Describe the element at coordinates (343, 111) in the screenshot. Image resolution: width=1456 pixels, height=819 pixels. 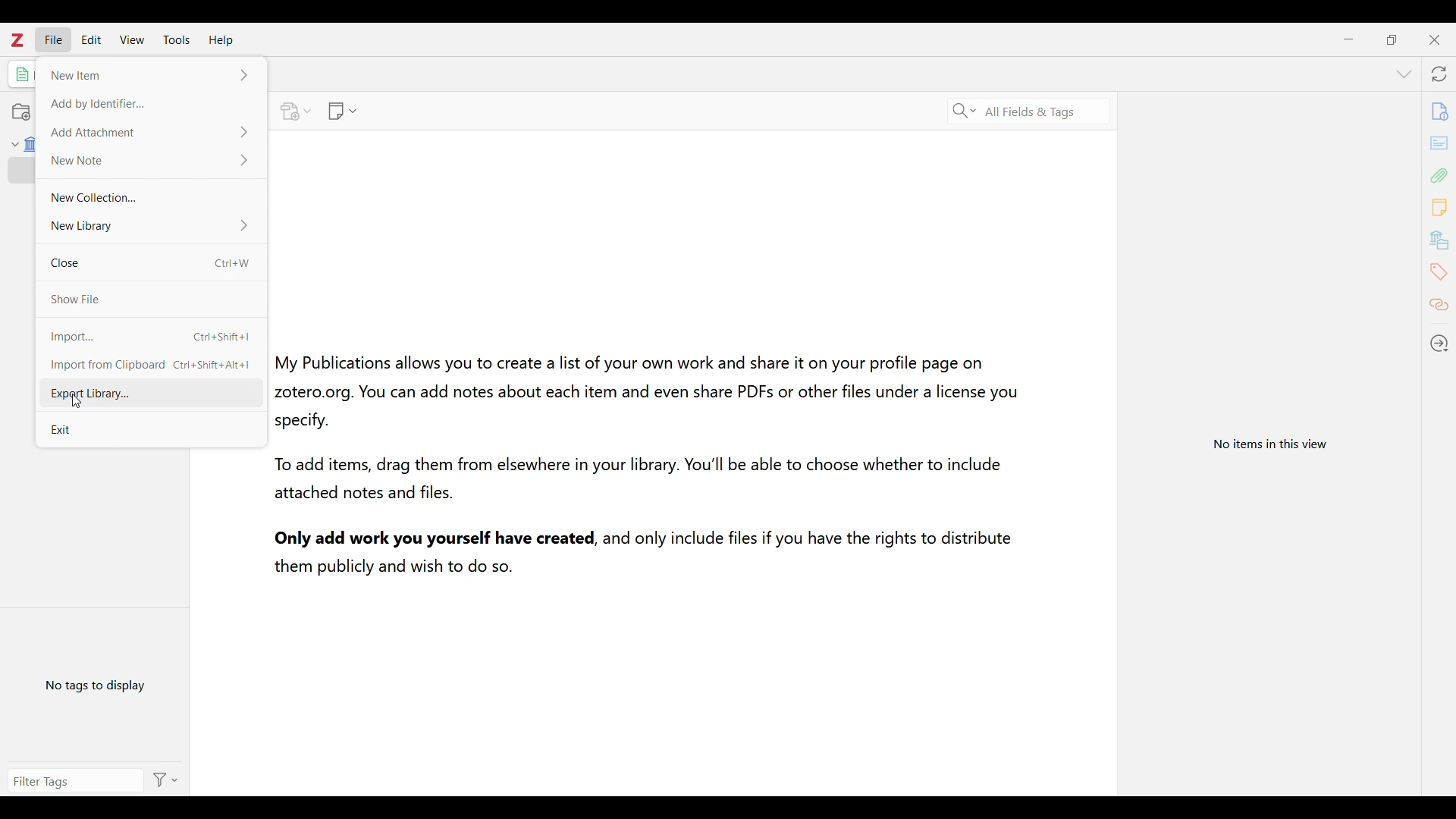
I see `Options to add new note` at that location.